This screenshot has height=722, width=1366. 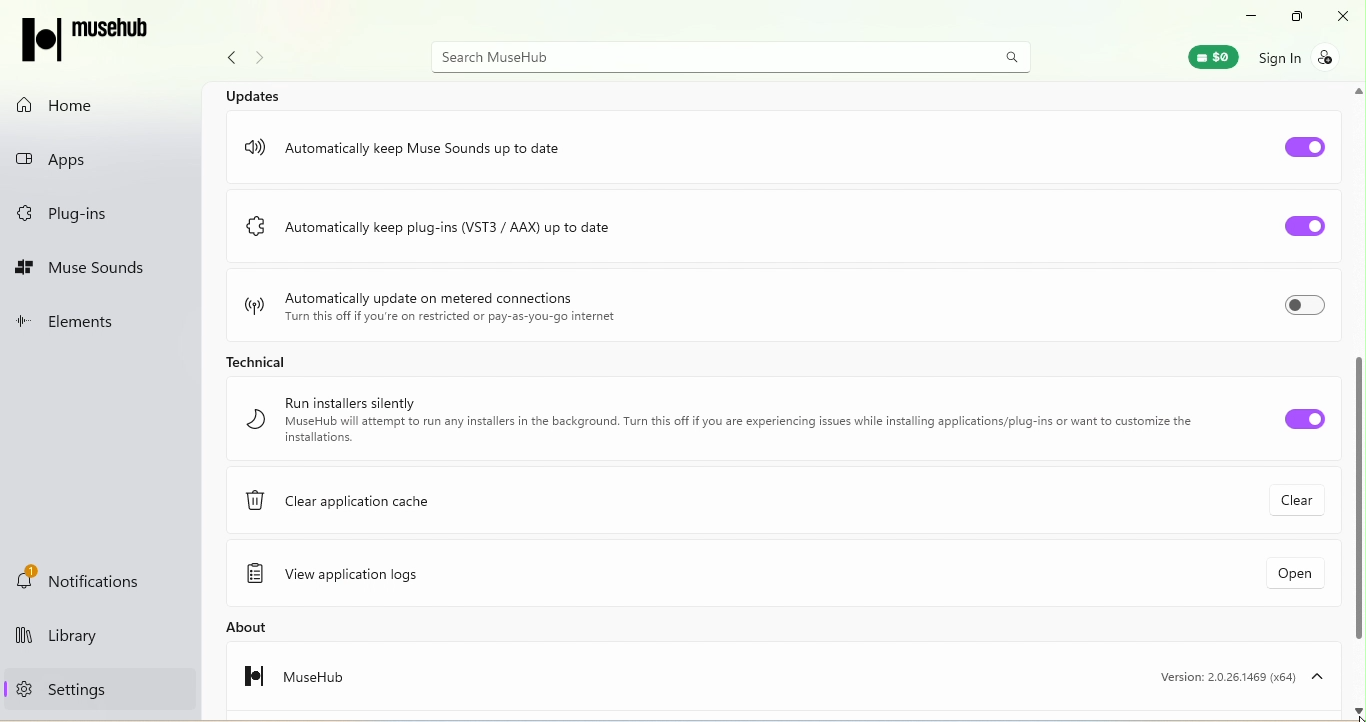 I want to click on Navigate forward, so click(x=264, y=60).